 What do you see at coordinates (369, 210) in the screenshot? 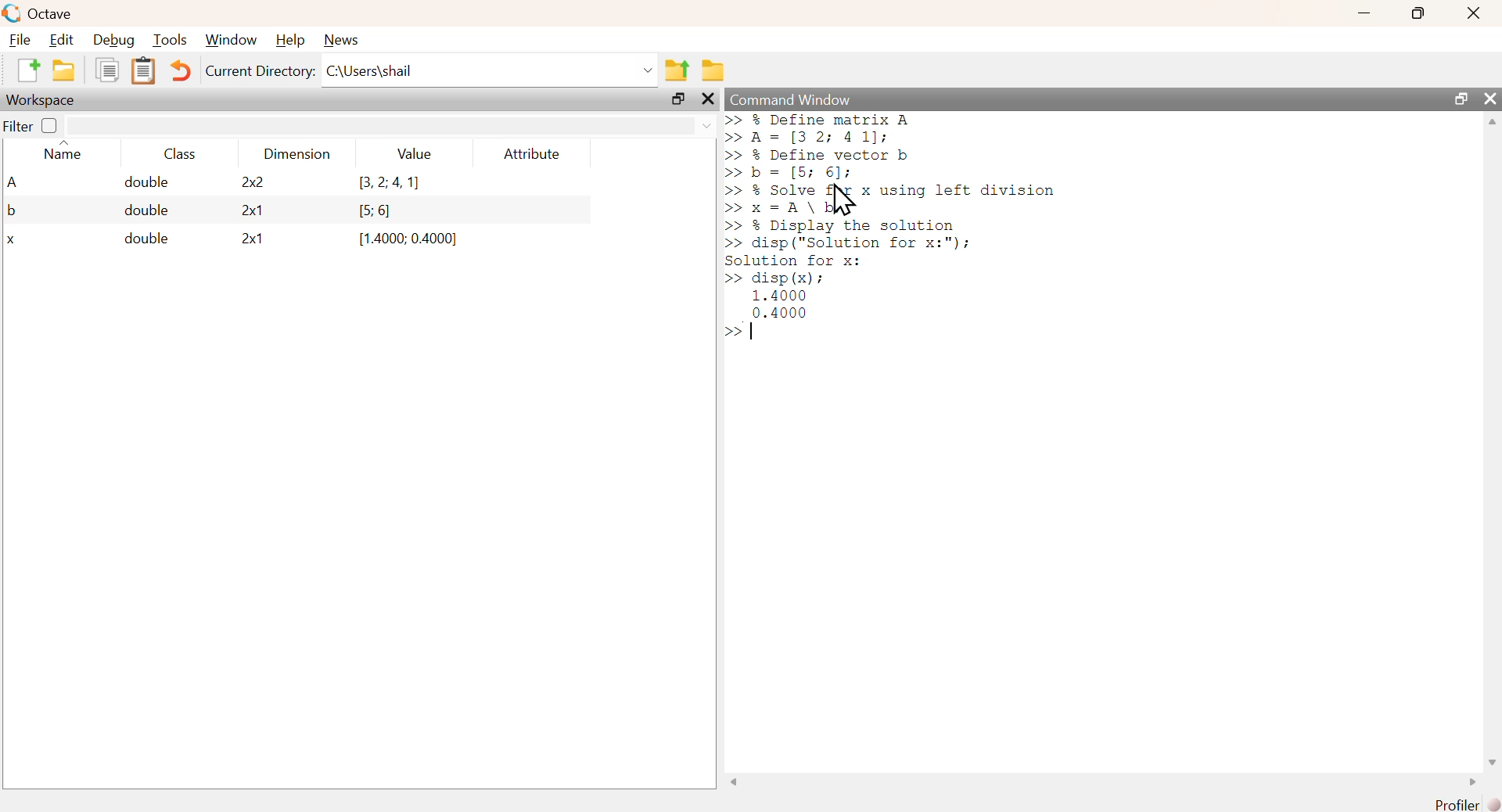
I see `[5: 6]` at bounding box center [369, 210].